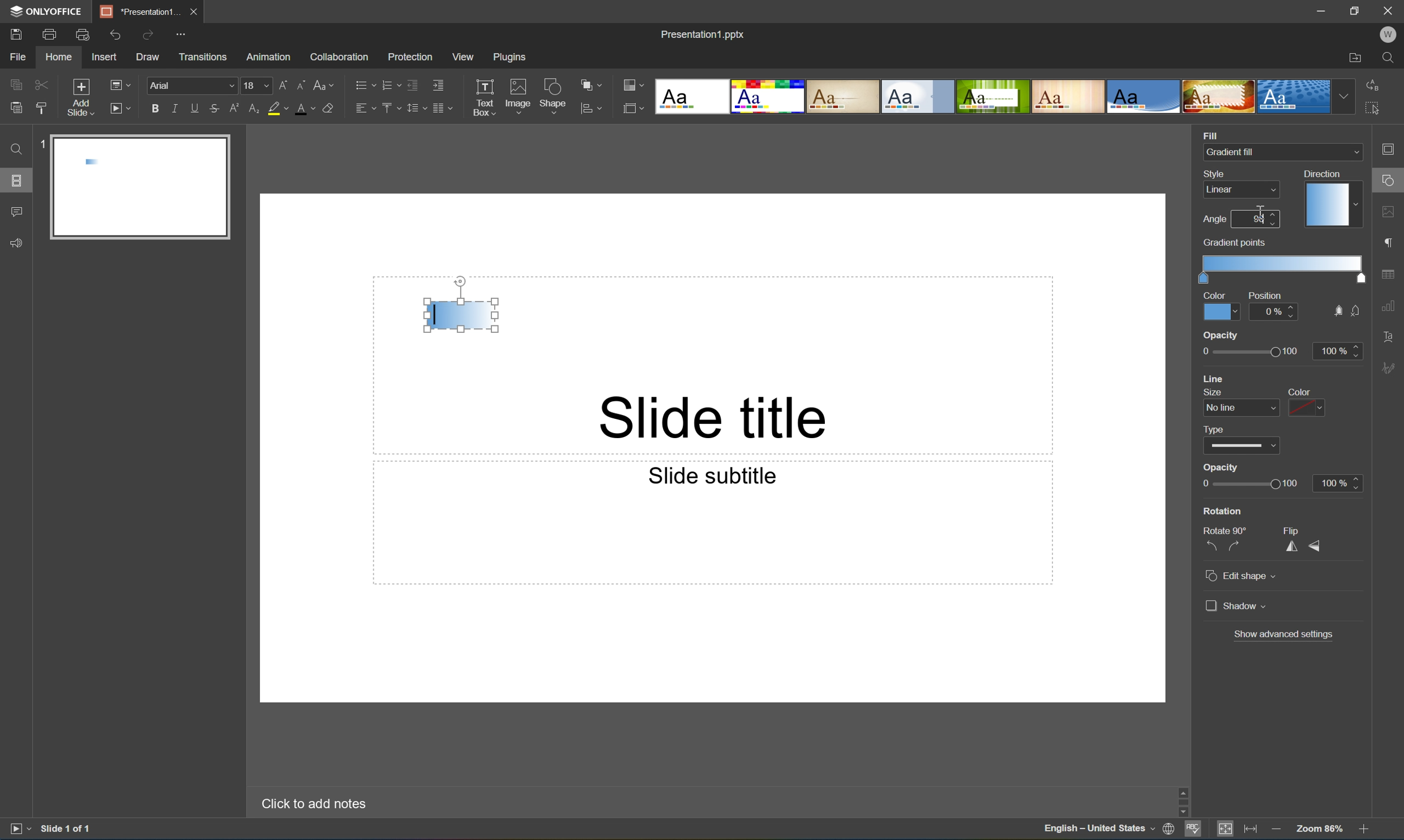 The height and width of the screenshot is (840, 1404). I want to click on Fit to Slide, so click(1228, 829).